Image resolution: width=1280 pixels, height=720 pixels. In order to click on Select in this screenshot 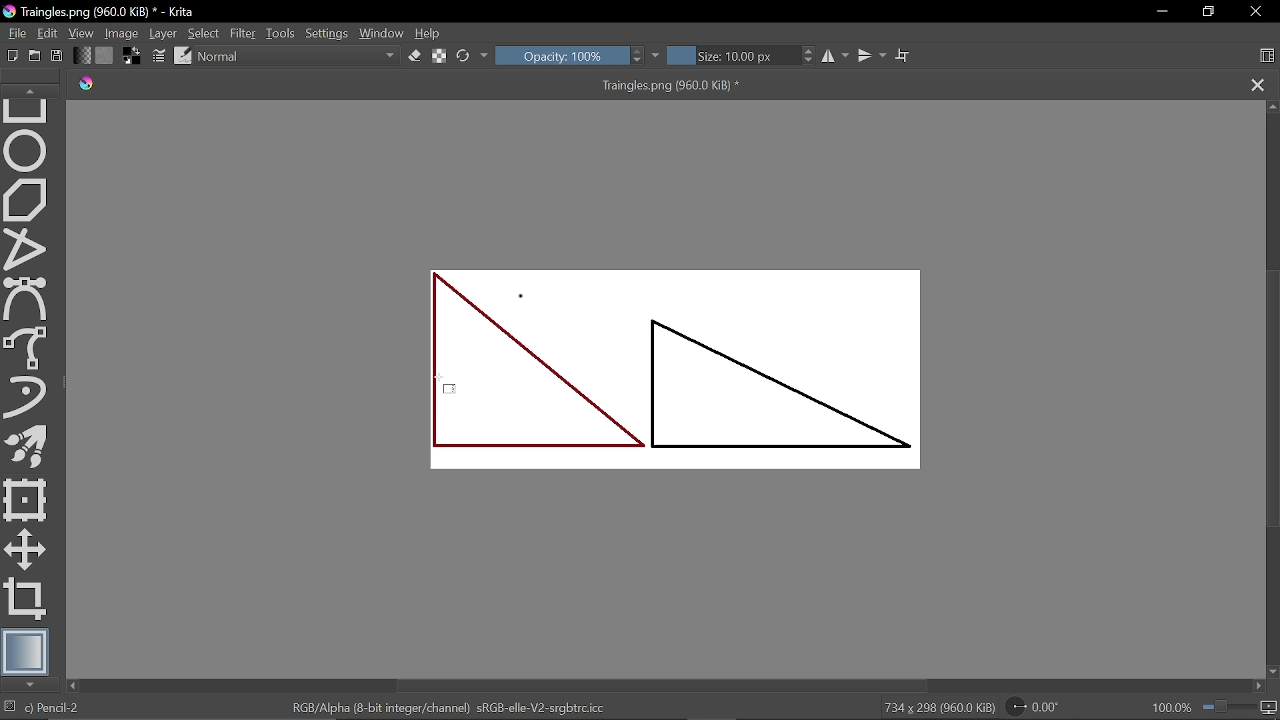, I will do `click(204, 33)`.